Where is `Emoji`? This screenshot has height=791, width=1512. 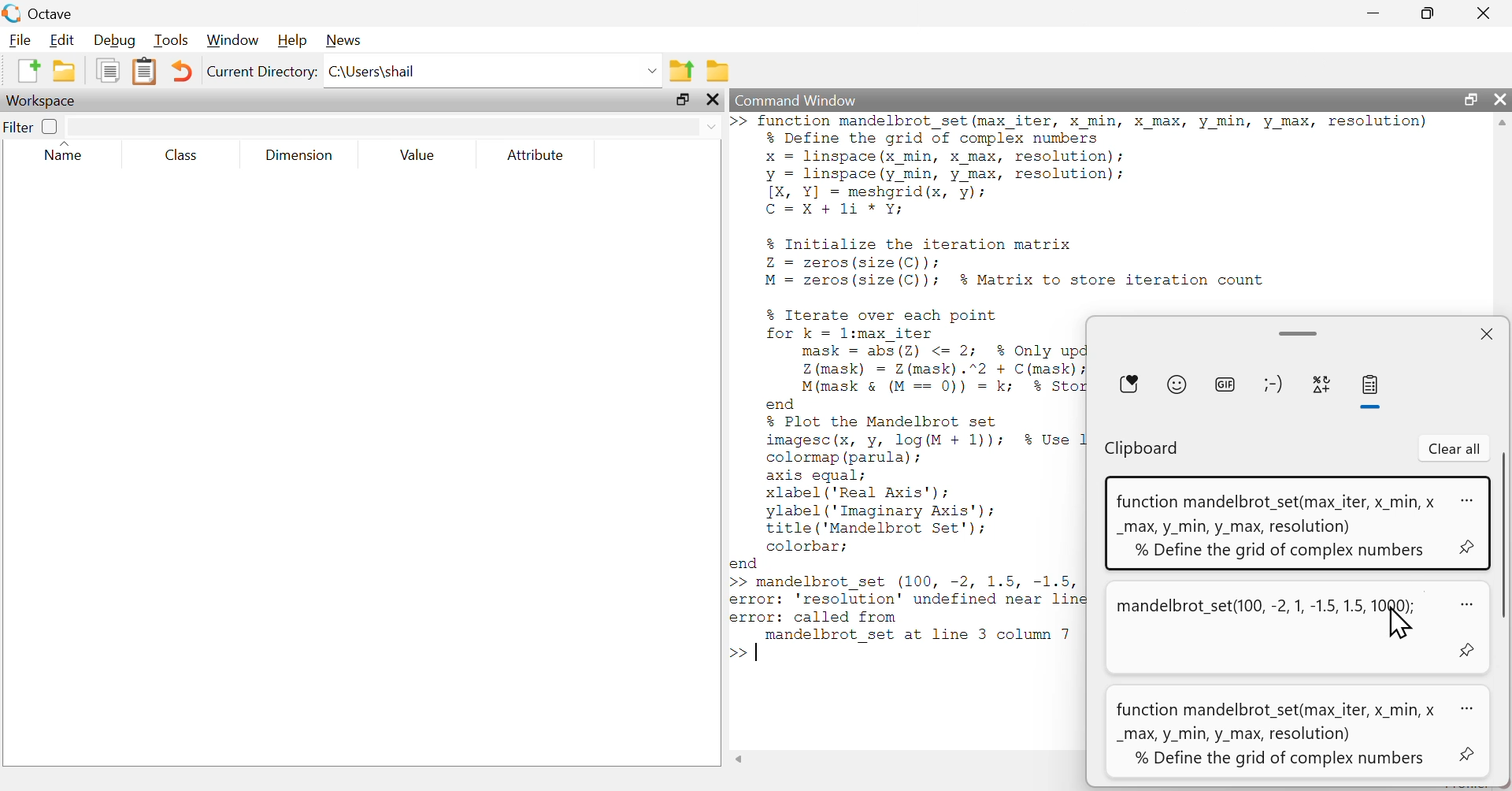
Emoji is located at coordinates (1176, 384).